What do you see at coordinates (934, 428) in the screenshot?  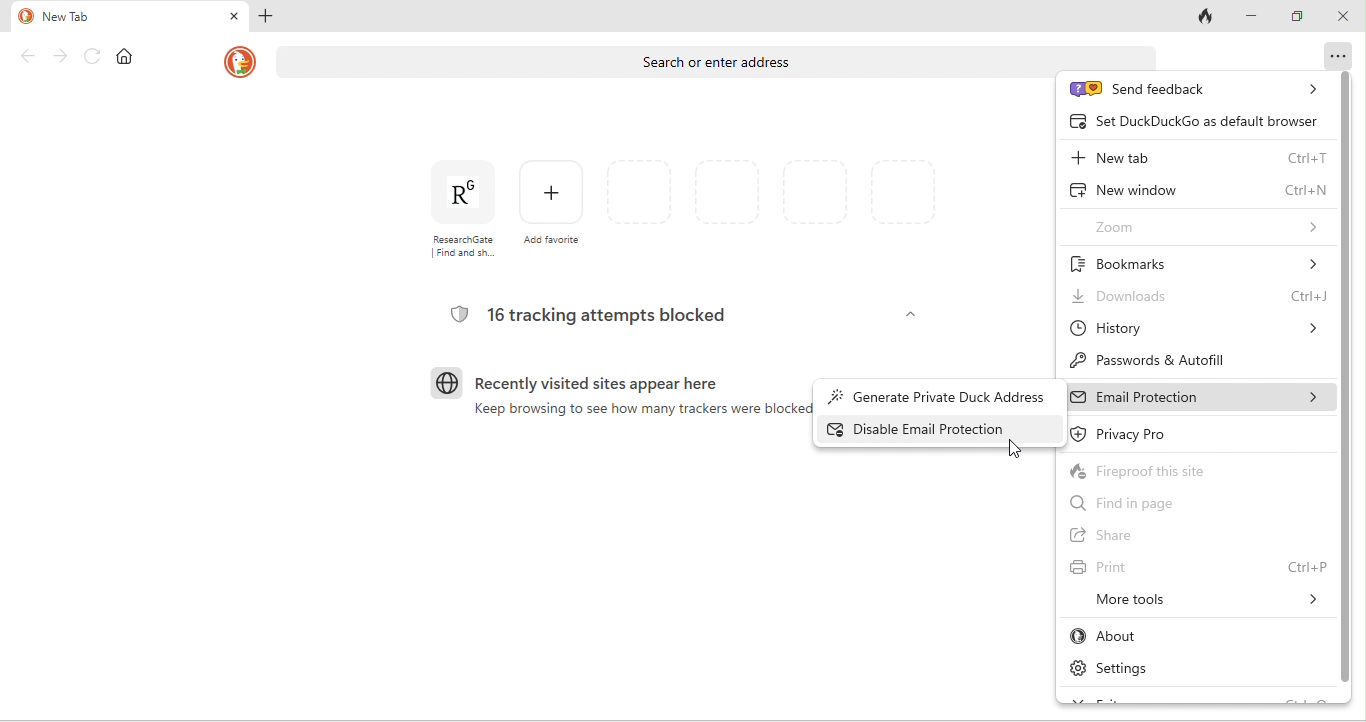 I see `enabled feature` at bounding box center [934, 428].